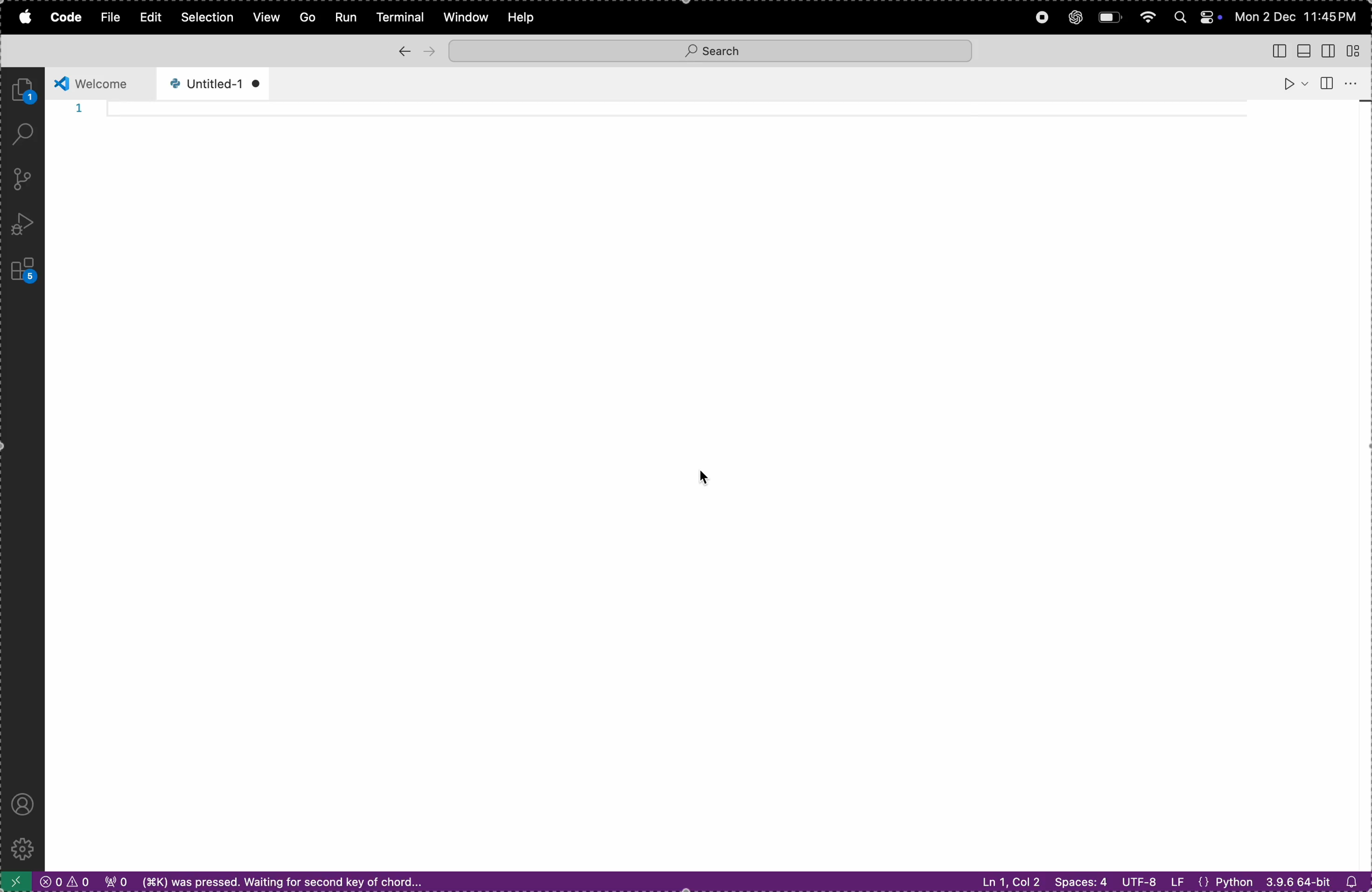 The height and width of the screenshot is (892, 1372). Describe the element at coordinates (105, 17) in the screenshot. I see `file` at that location.